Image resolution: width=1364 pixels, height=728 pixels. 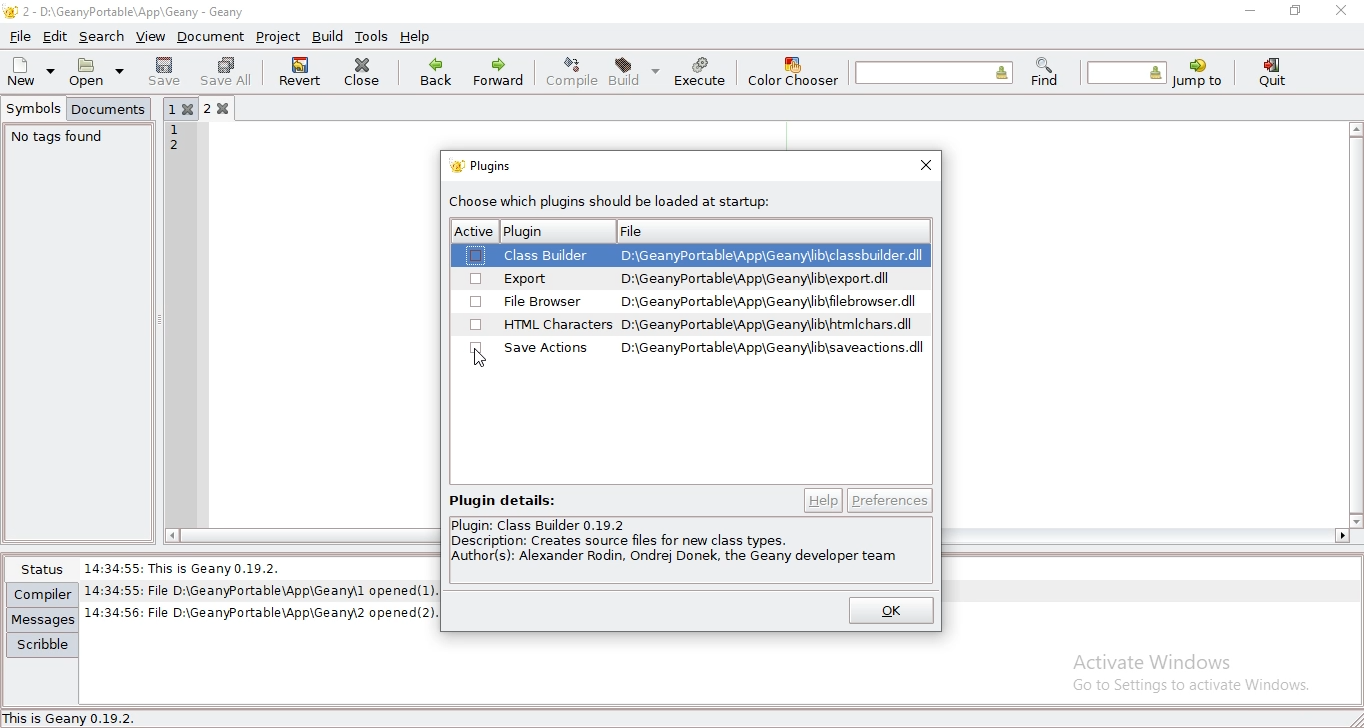 I want to click on preferences, so click(x=888, y=501).